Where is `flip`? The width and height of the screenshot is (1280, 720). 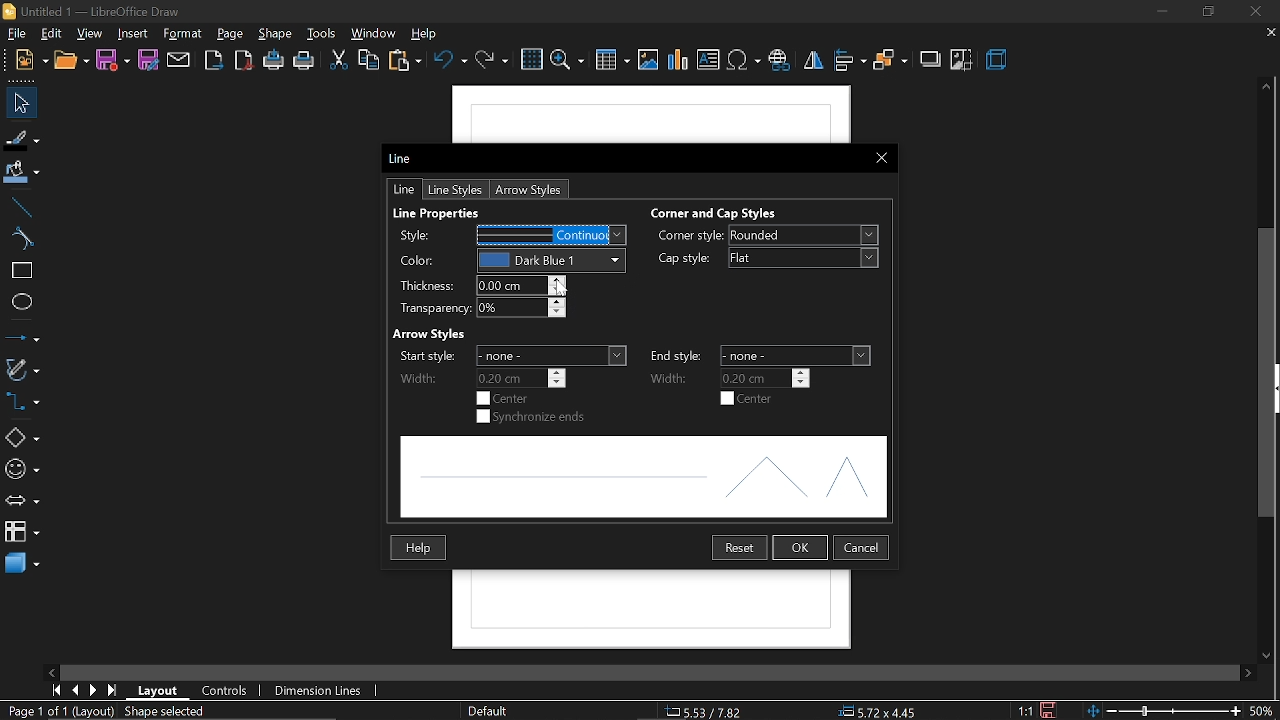
flip is located at coordinates (812, 63).